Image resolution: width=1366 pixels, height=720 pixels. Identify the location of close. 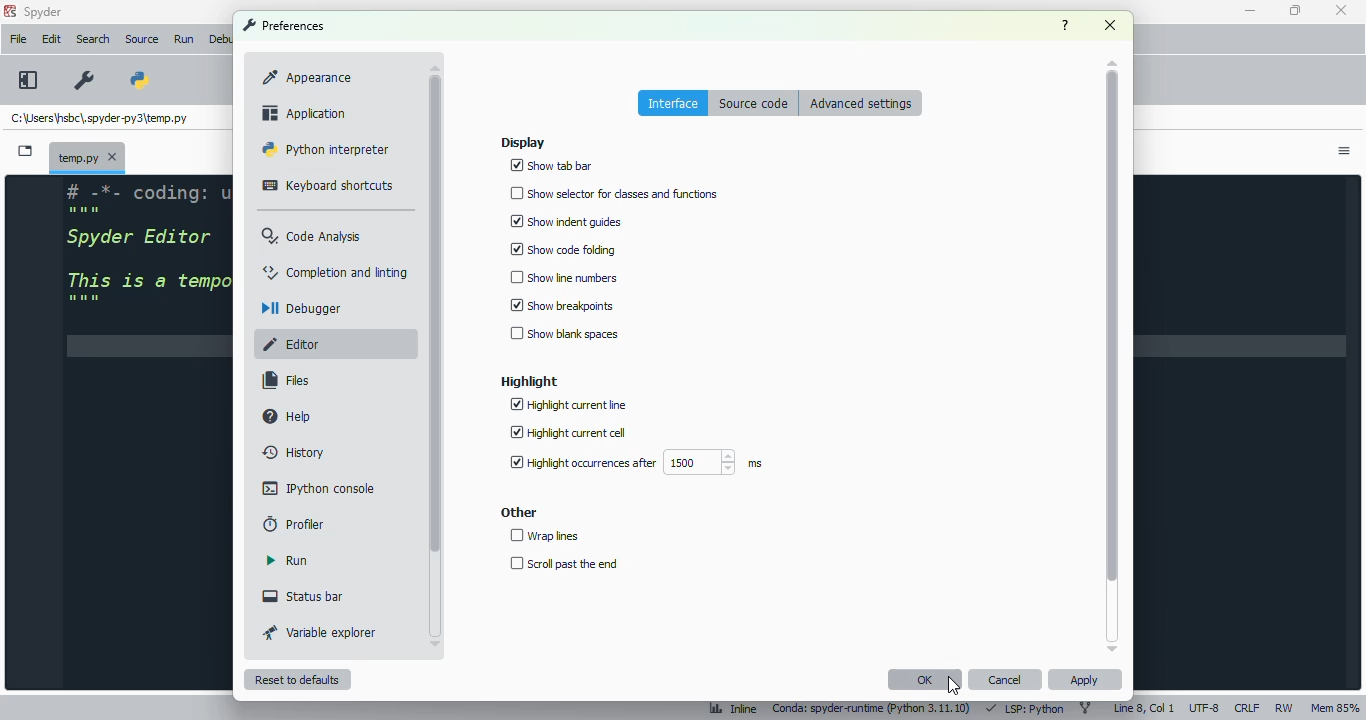
(1111, 24).